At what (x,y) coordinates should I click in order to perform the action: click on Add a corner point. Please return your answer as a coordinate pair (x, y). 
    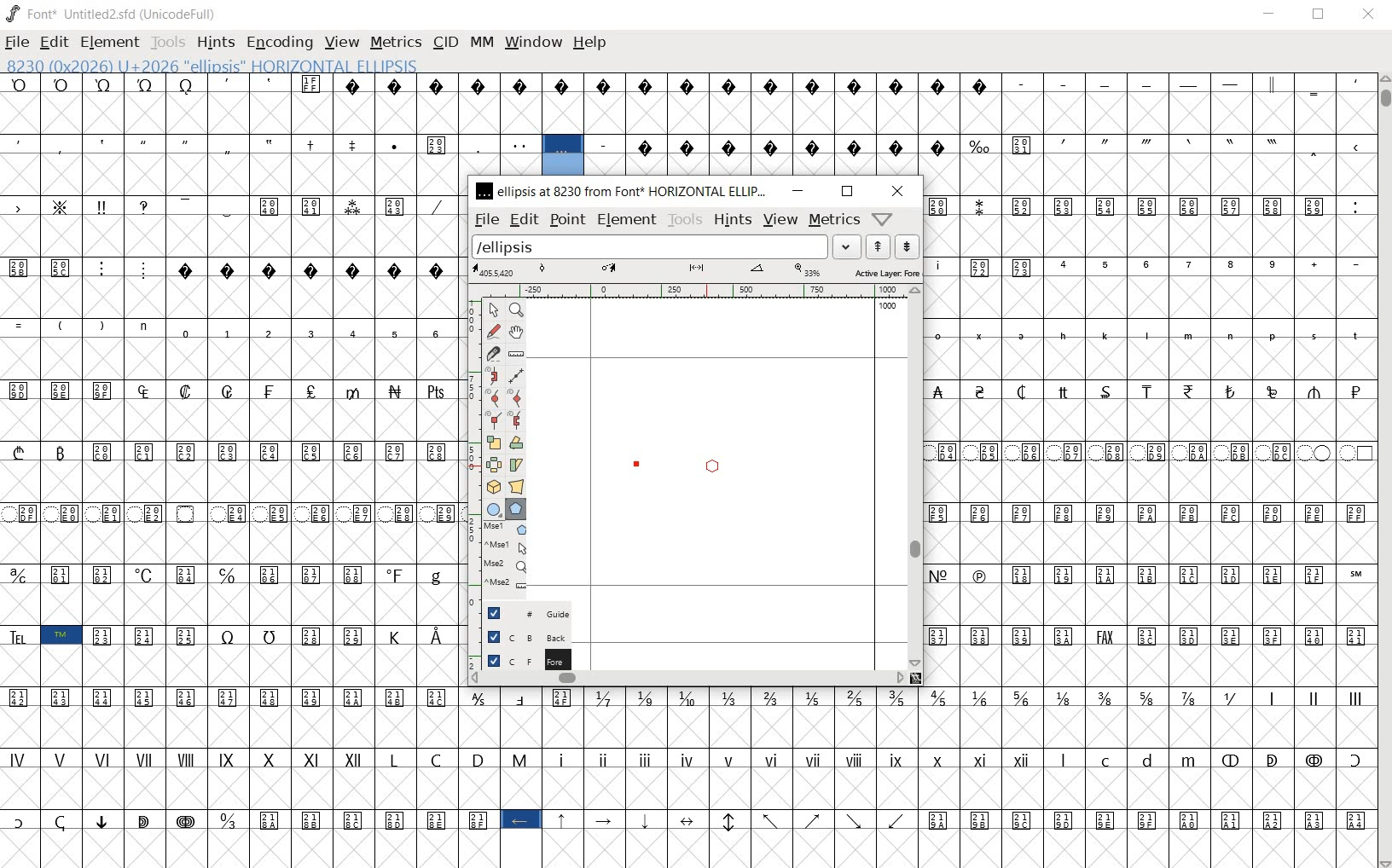
    Looking at the image, I should click on (516, 420).